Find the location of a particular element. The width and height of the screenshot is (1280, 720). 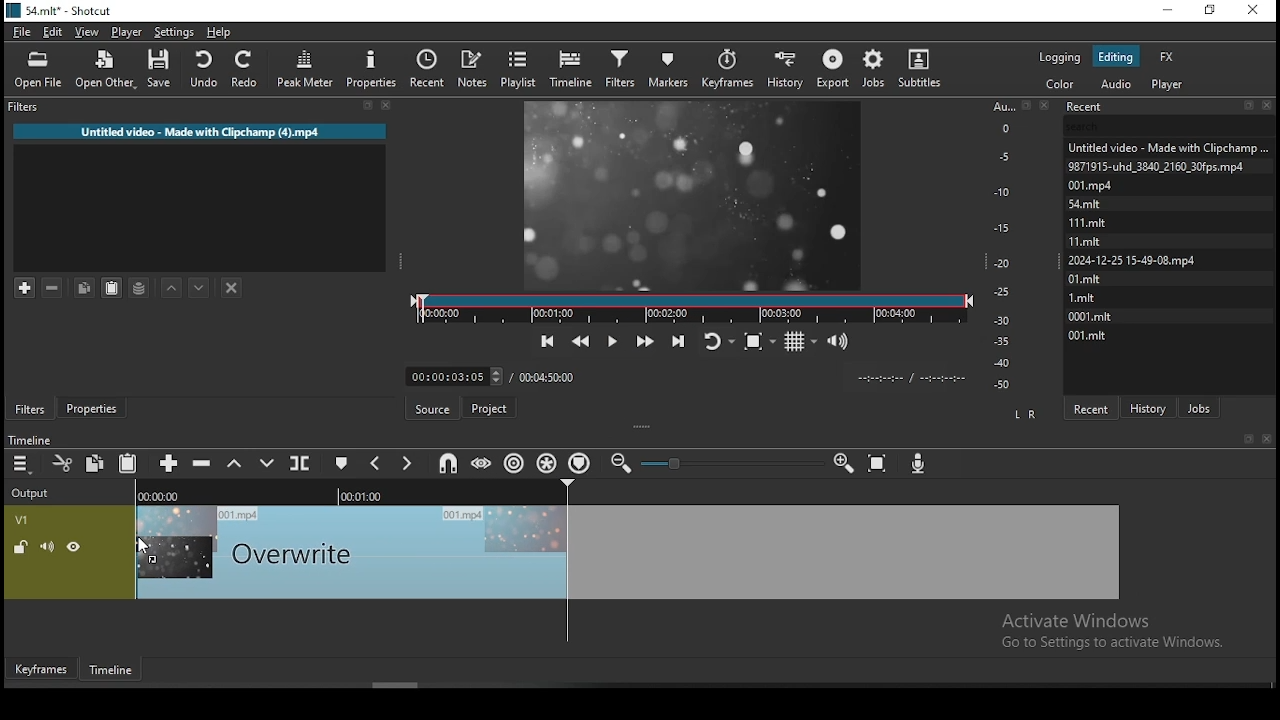

video preview is located at coordinates (691, 194).